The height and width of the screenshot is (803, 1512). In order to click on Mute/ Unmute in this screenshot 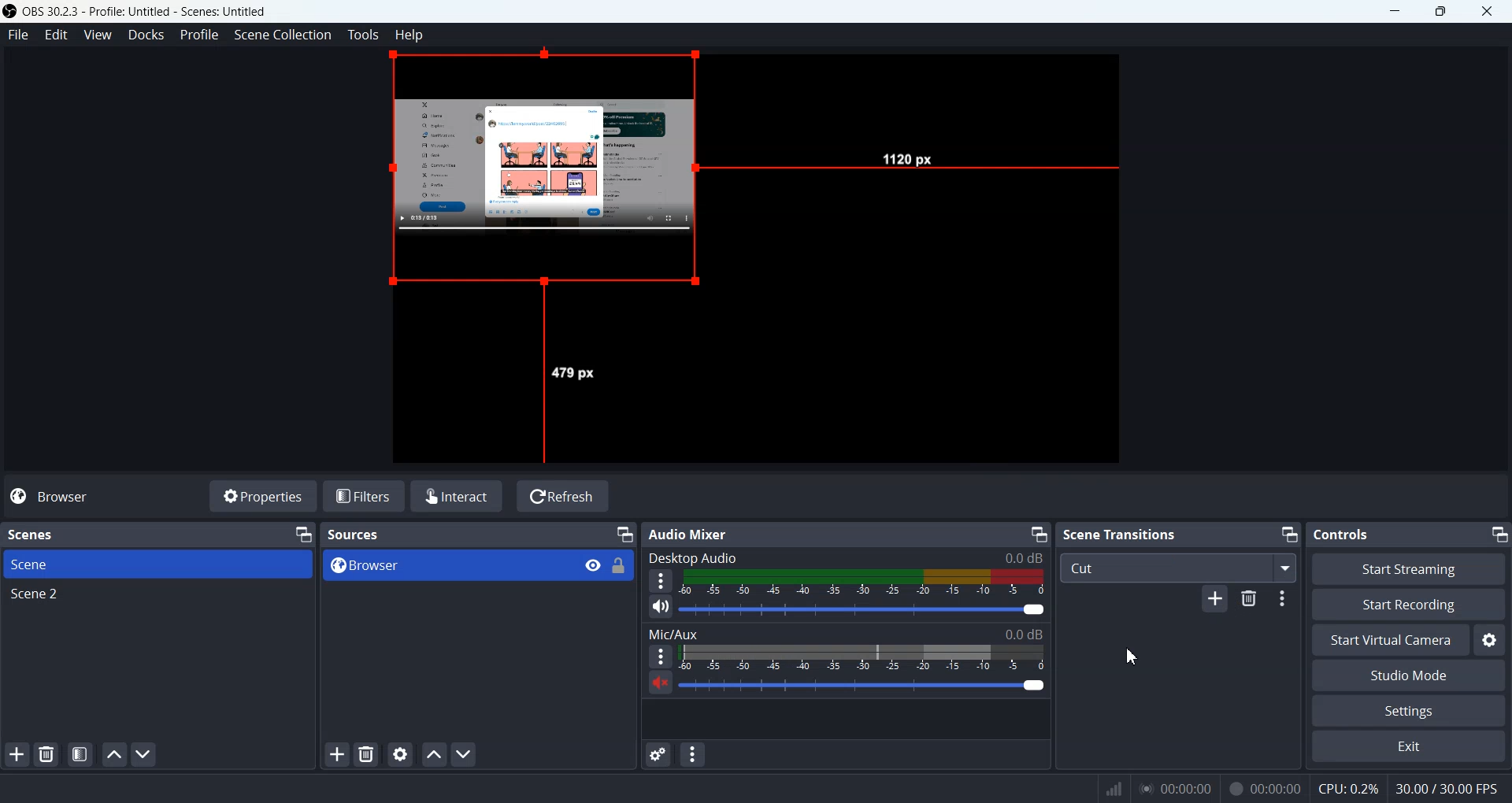, I will do `click(661, 606)`.